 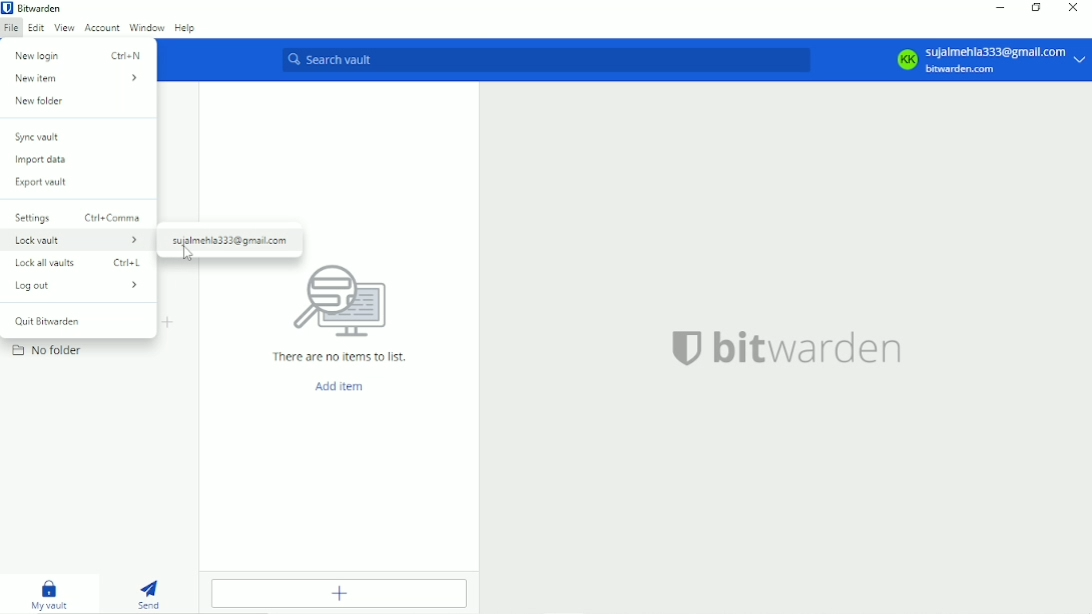 What do you see at coordinates (10, 30) in the screenshot?
I see `File` at bounding box center [10, 30].